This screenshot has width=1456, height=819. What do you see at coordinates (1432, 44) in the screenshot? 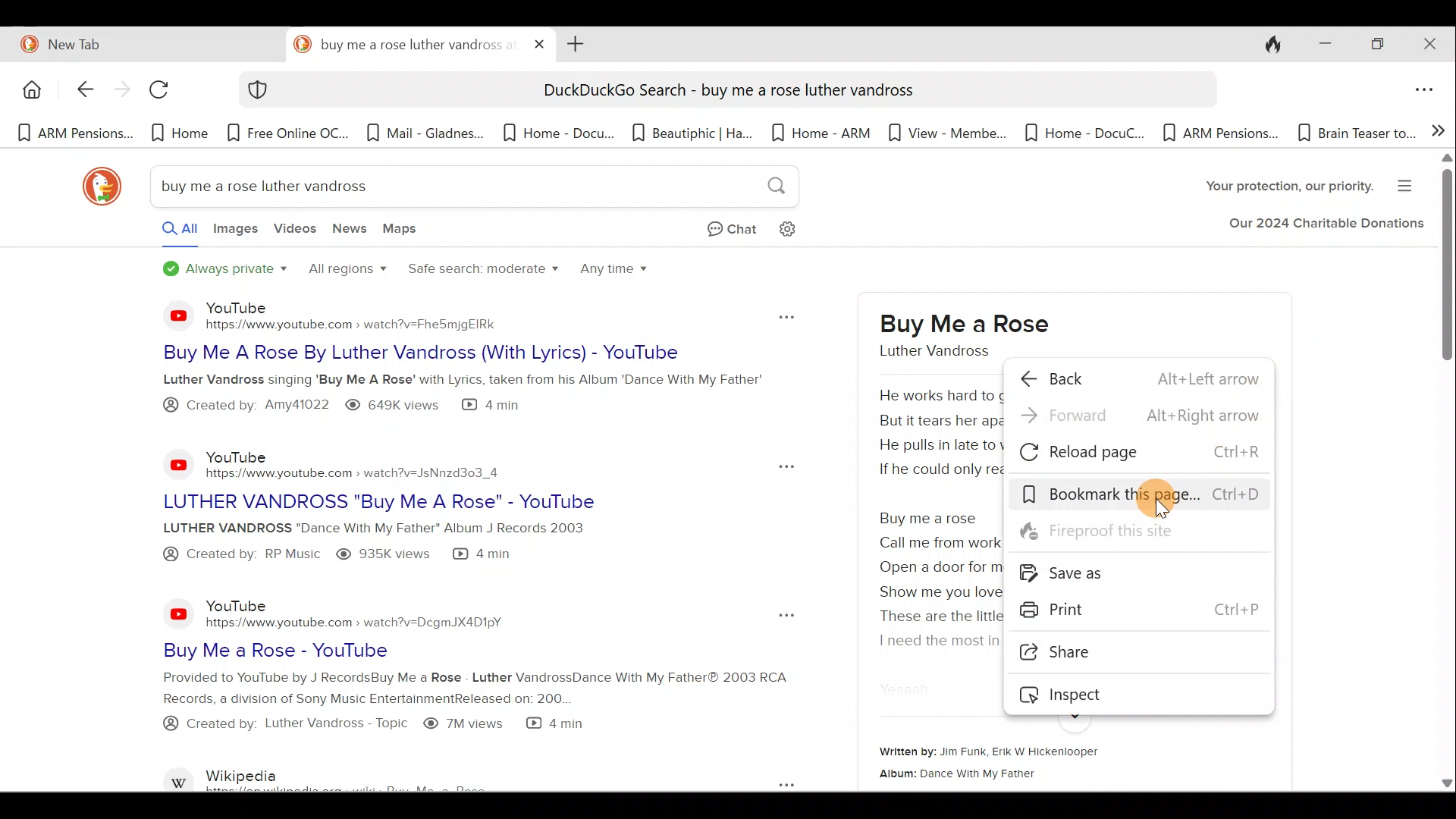
I see `Close window` at bounding box center [1432, 44].